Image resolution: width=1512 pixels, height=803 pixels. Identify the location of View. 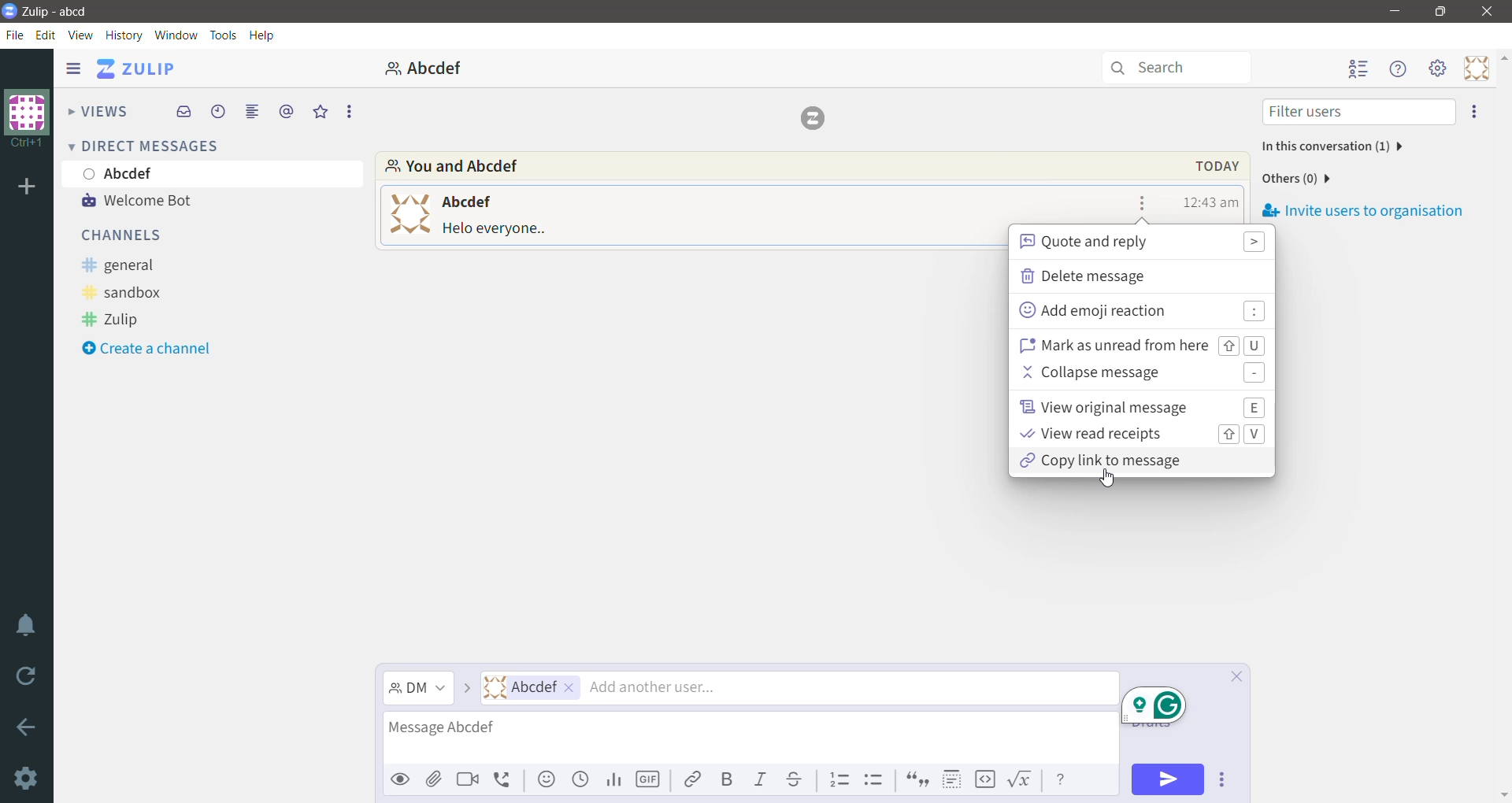
(81, 35).